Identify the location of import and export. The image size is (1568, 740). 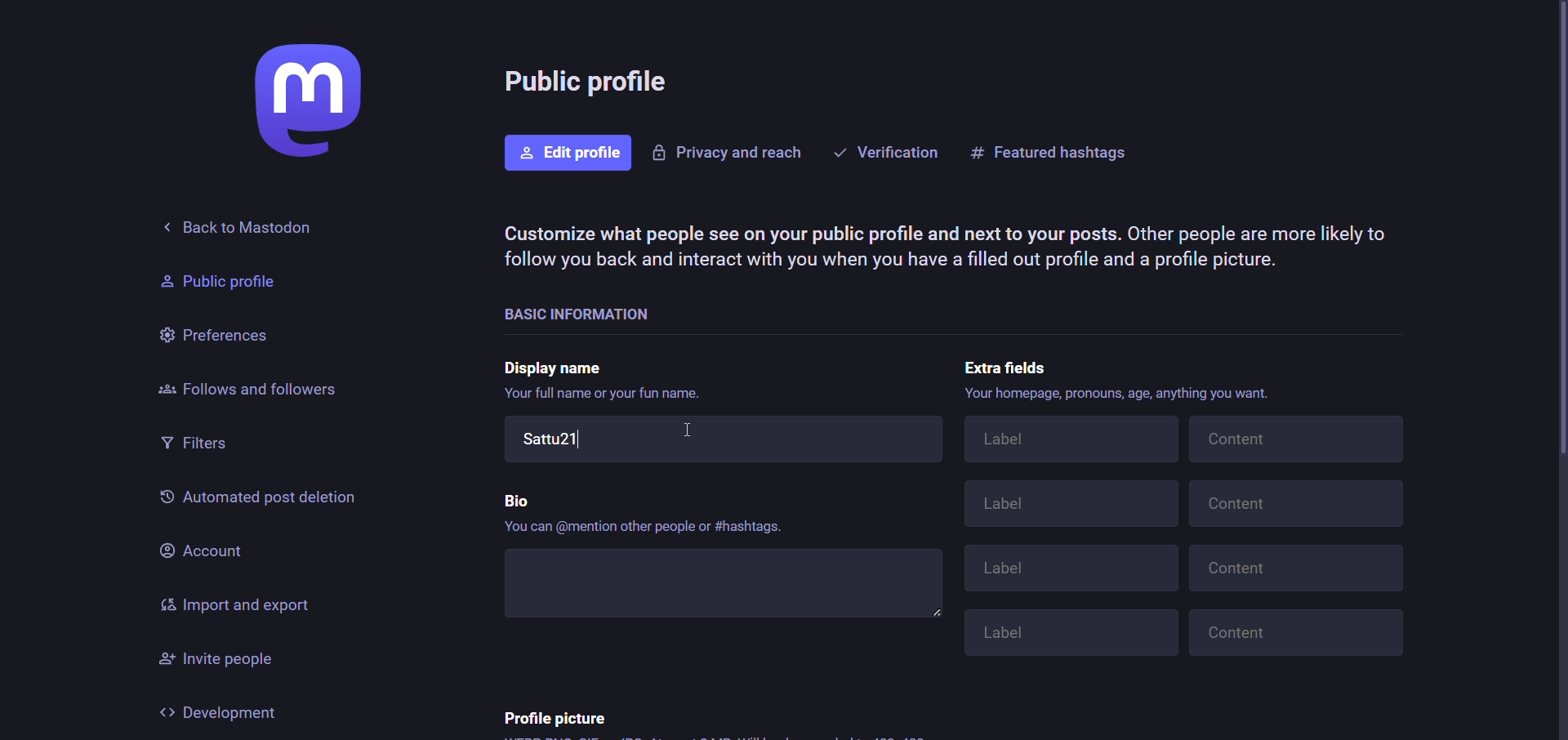
(236, 606).